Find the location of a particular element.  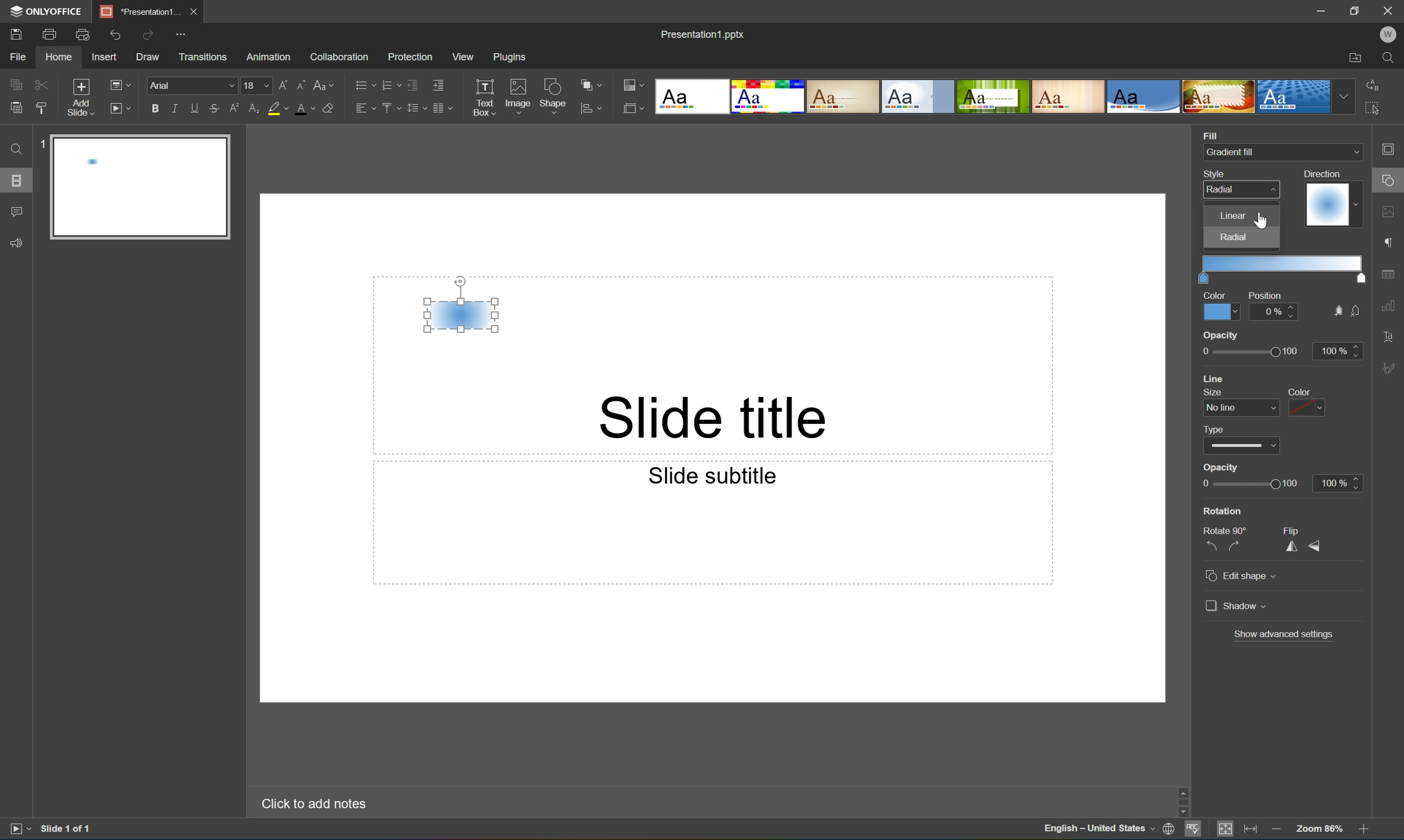

Bold is located at coordinates (156, 106).